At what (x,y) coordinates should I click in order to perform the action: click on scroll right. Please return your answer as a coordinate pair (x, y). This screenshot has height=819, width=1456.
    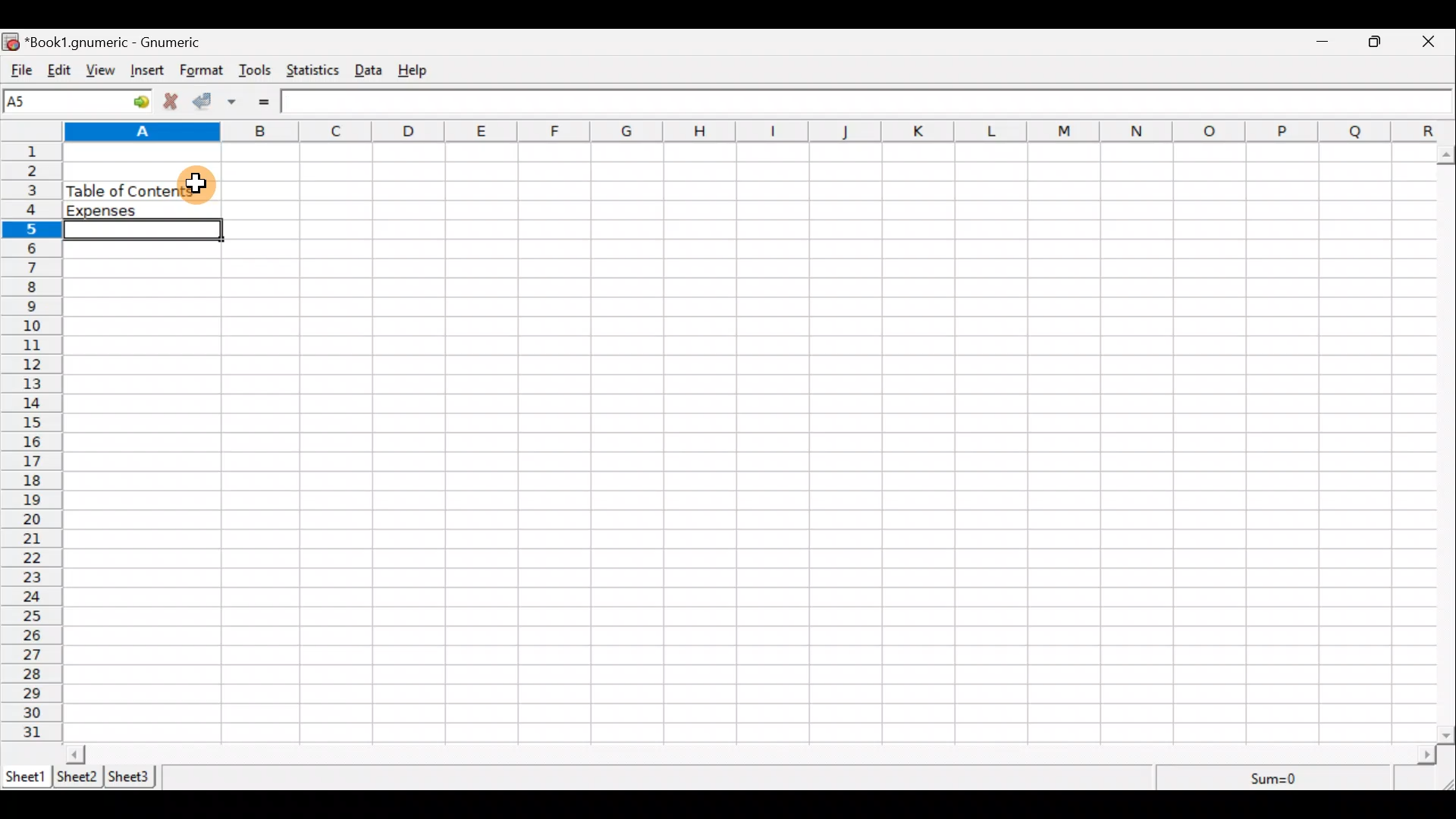
    Looking at the image, I should click on (1426, 755).